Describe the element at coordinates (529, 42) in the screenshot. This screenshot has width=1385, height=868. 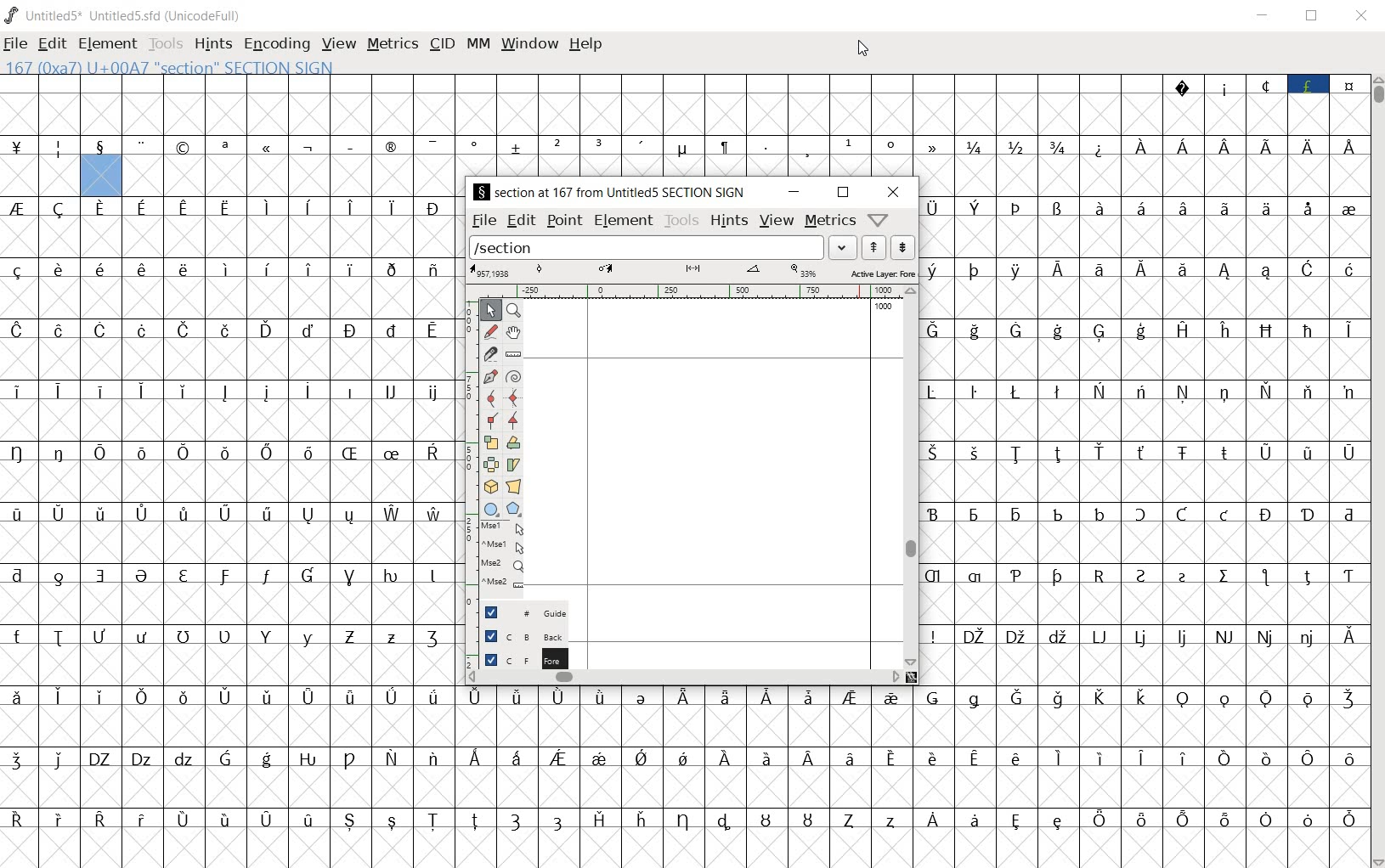
I see `window` at that location.